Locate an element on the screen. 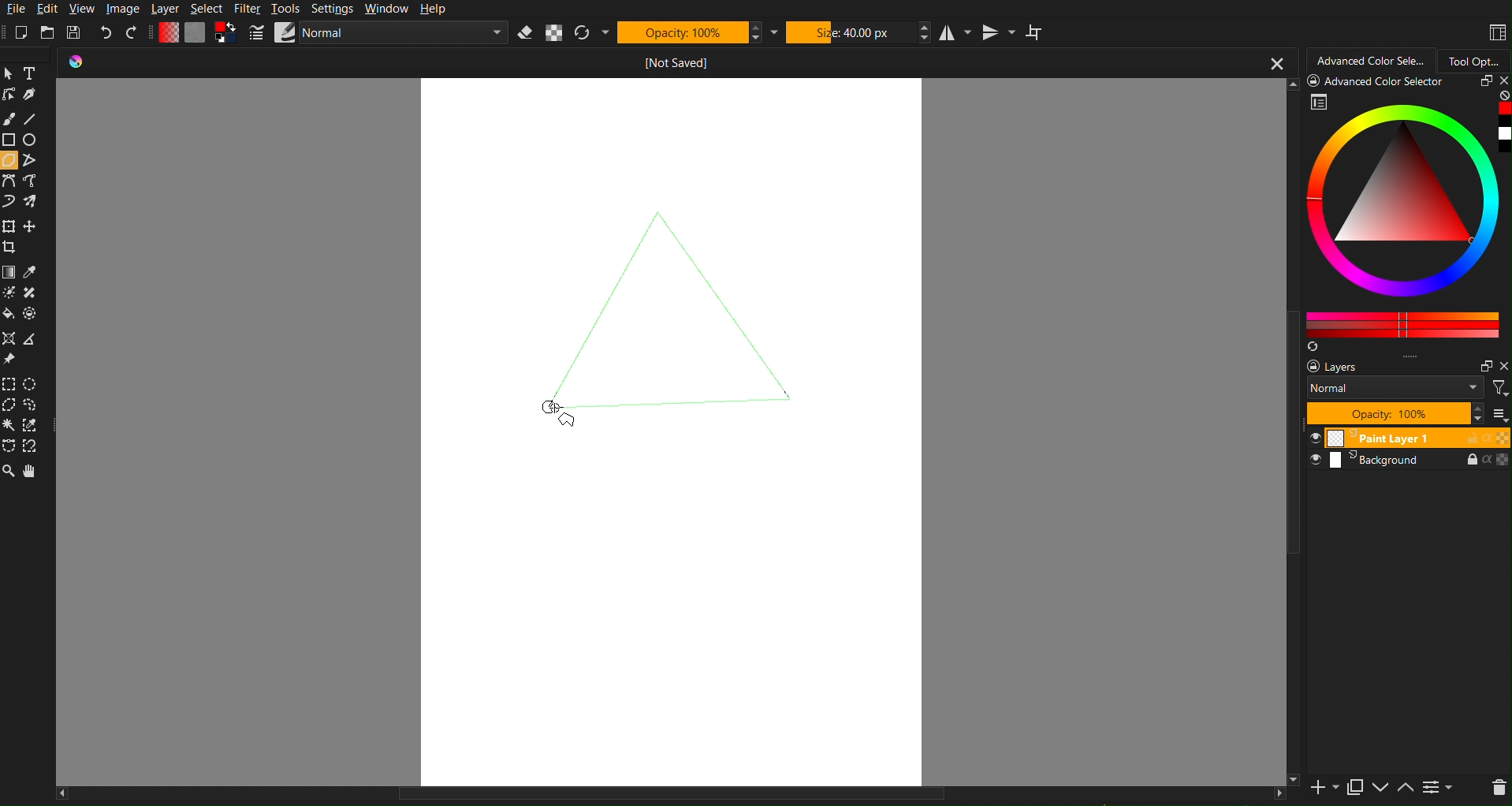  move layer up is located at coordinates (1406, 789).